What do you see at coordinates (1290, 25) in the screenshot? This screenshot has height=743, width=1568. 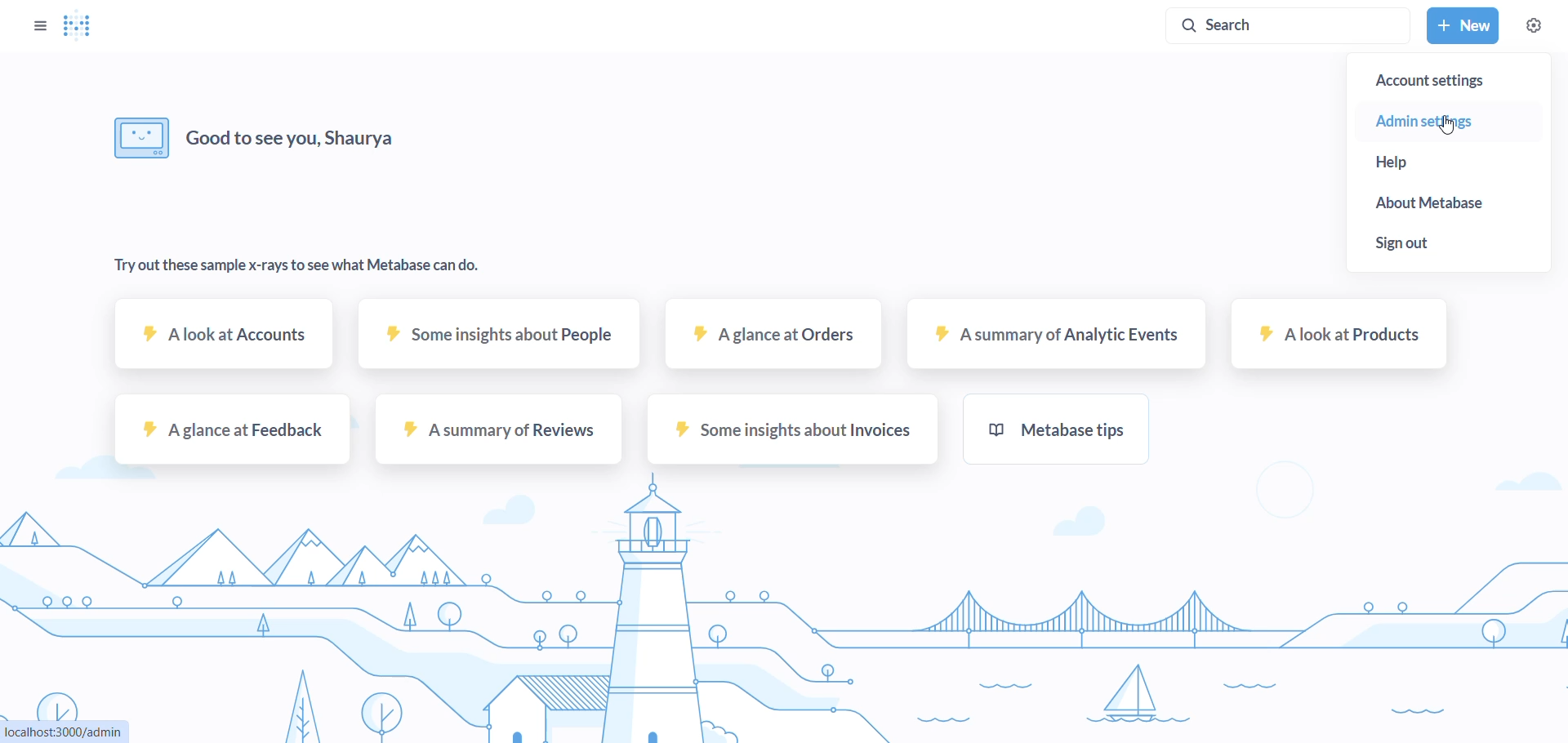 I see `search button` at bounding box center [1290, 25].